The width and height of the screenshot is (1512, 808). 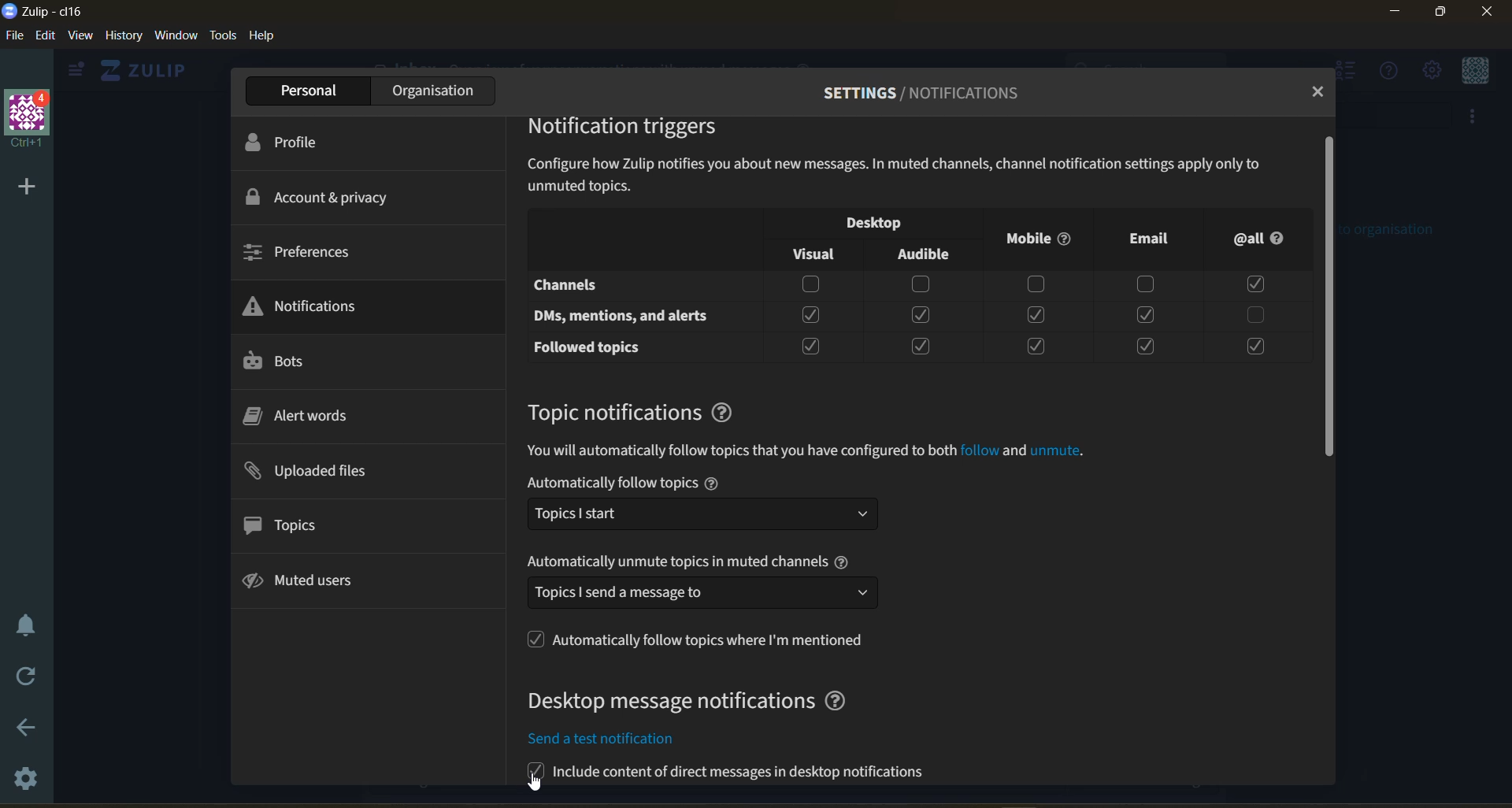 What do you see at coordinates (27, 120) in the screenshot?
I see `organisation name and profile picture` at bounding box center [27, 120].